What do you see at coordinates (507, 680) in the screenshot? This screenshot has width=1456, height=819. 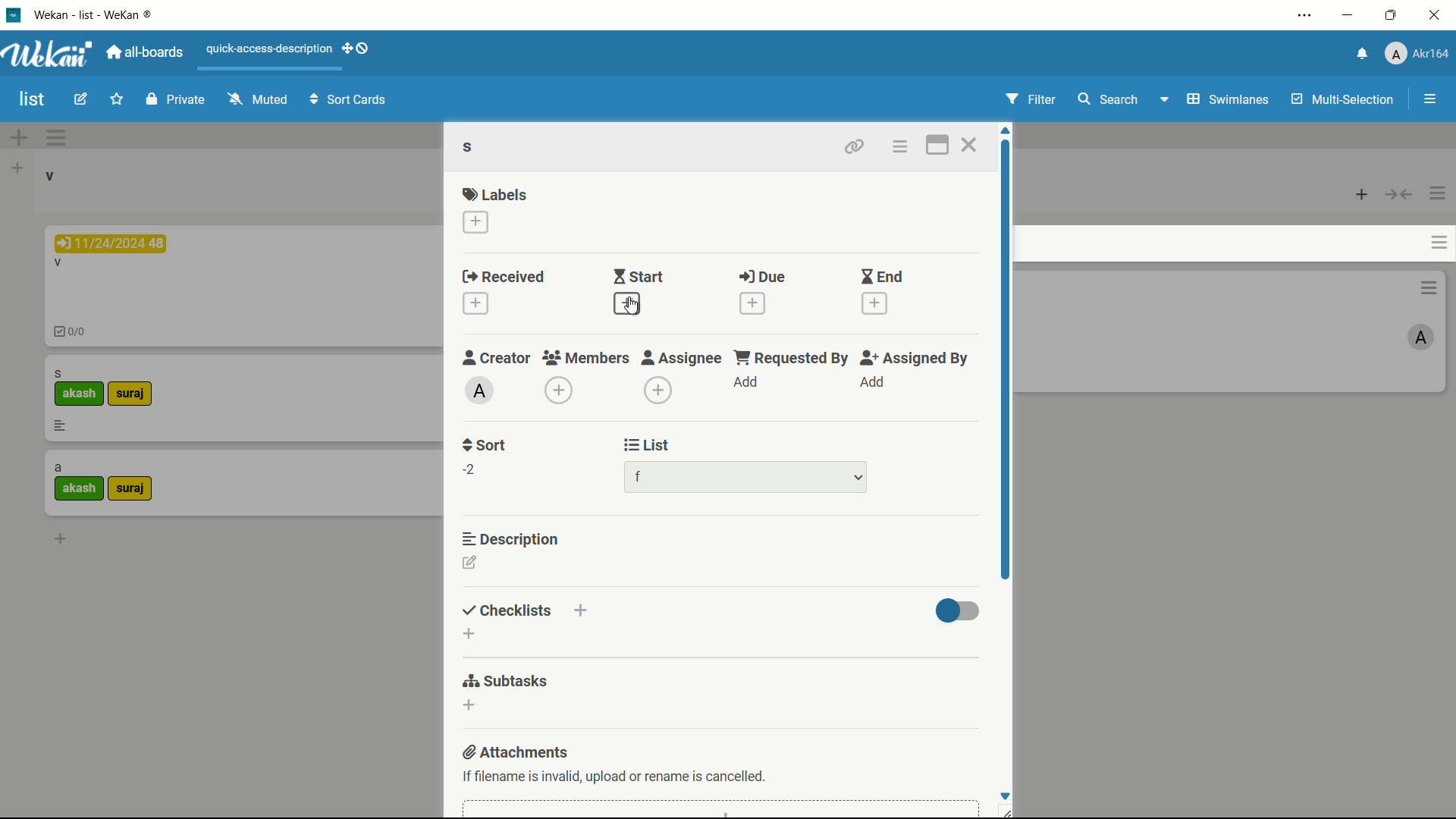 I see `subtasks` at bounding box center [507, 680].